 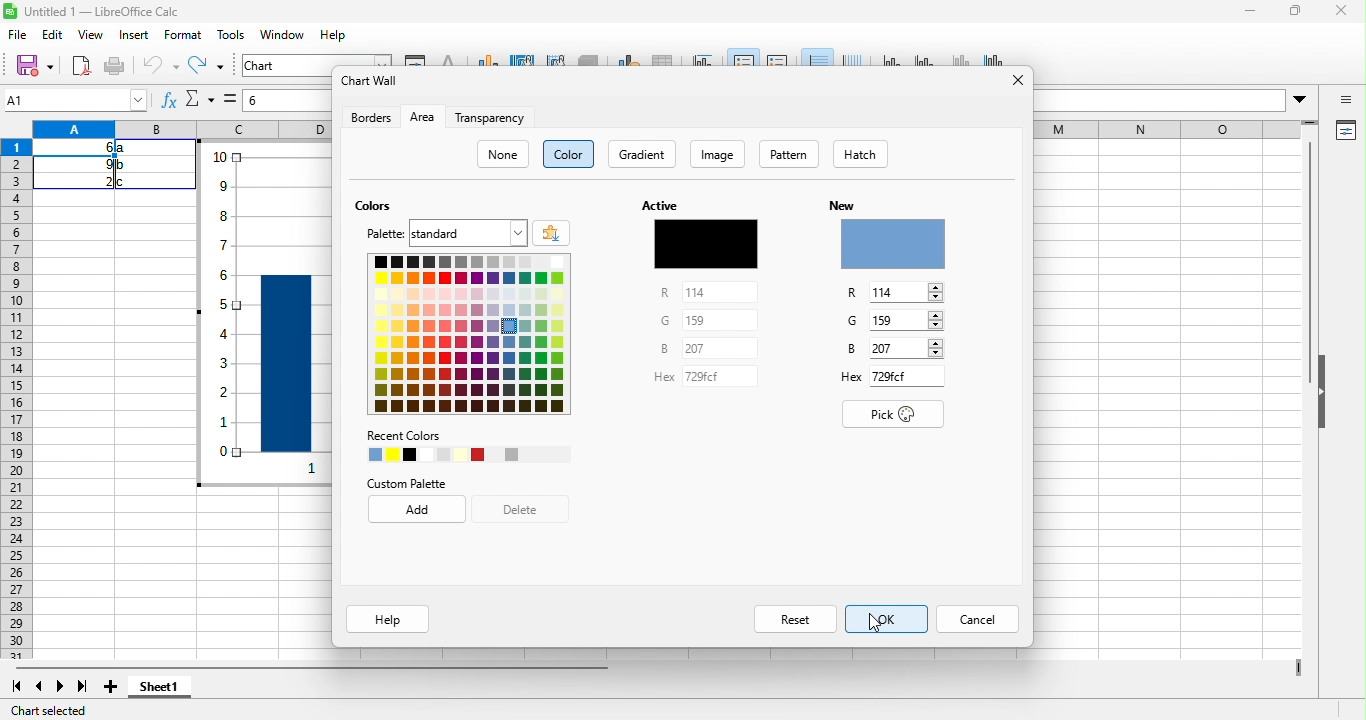 What do you see at coordinates (91, 35) in the screenshot?
I see `view` at bounding box center [91, 35].